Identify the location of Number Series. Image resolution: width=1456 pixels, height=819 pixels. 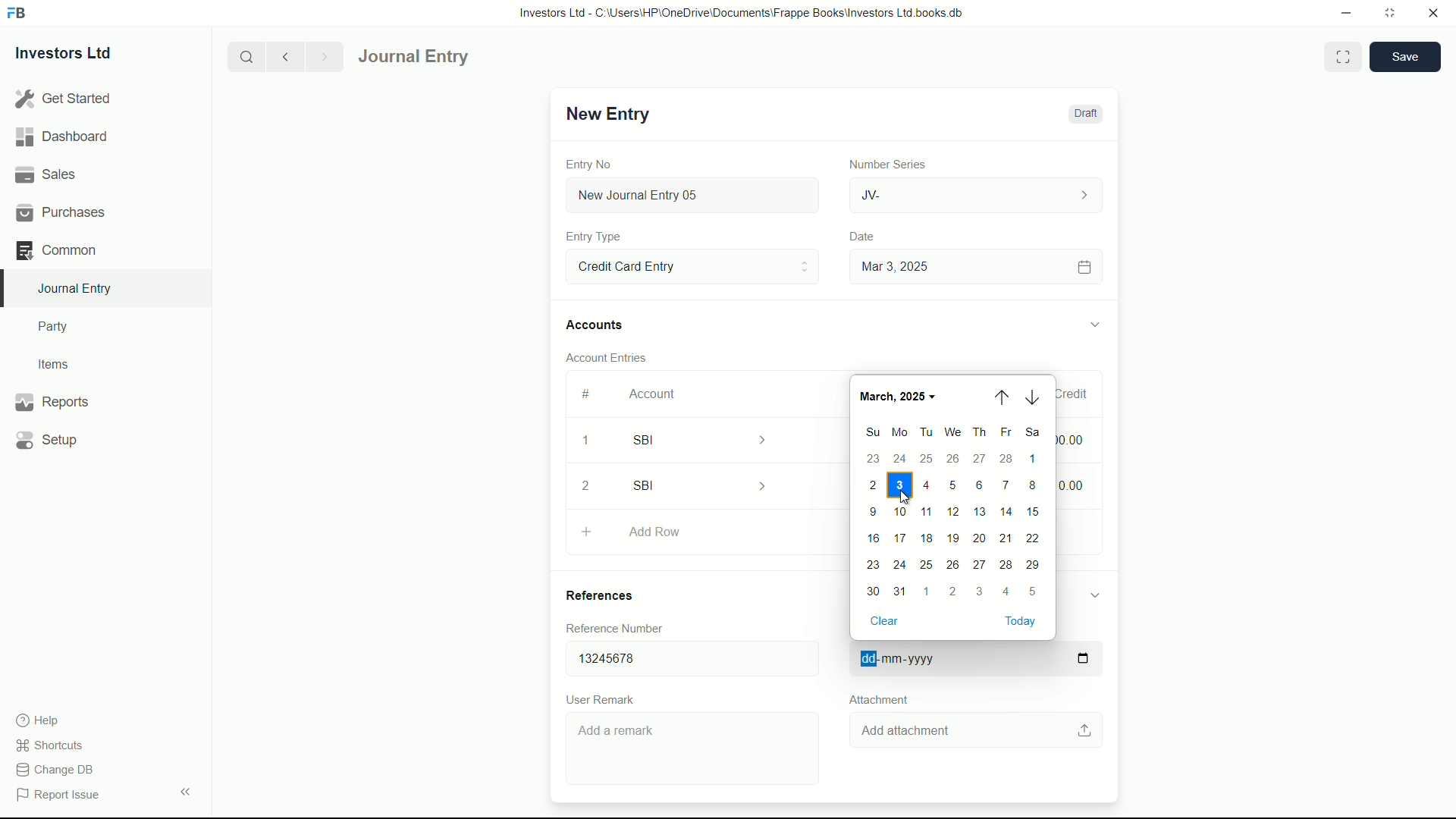
(881, 163).